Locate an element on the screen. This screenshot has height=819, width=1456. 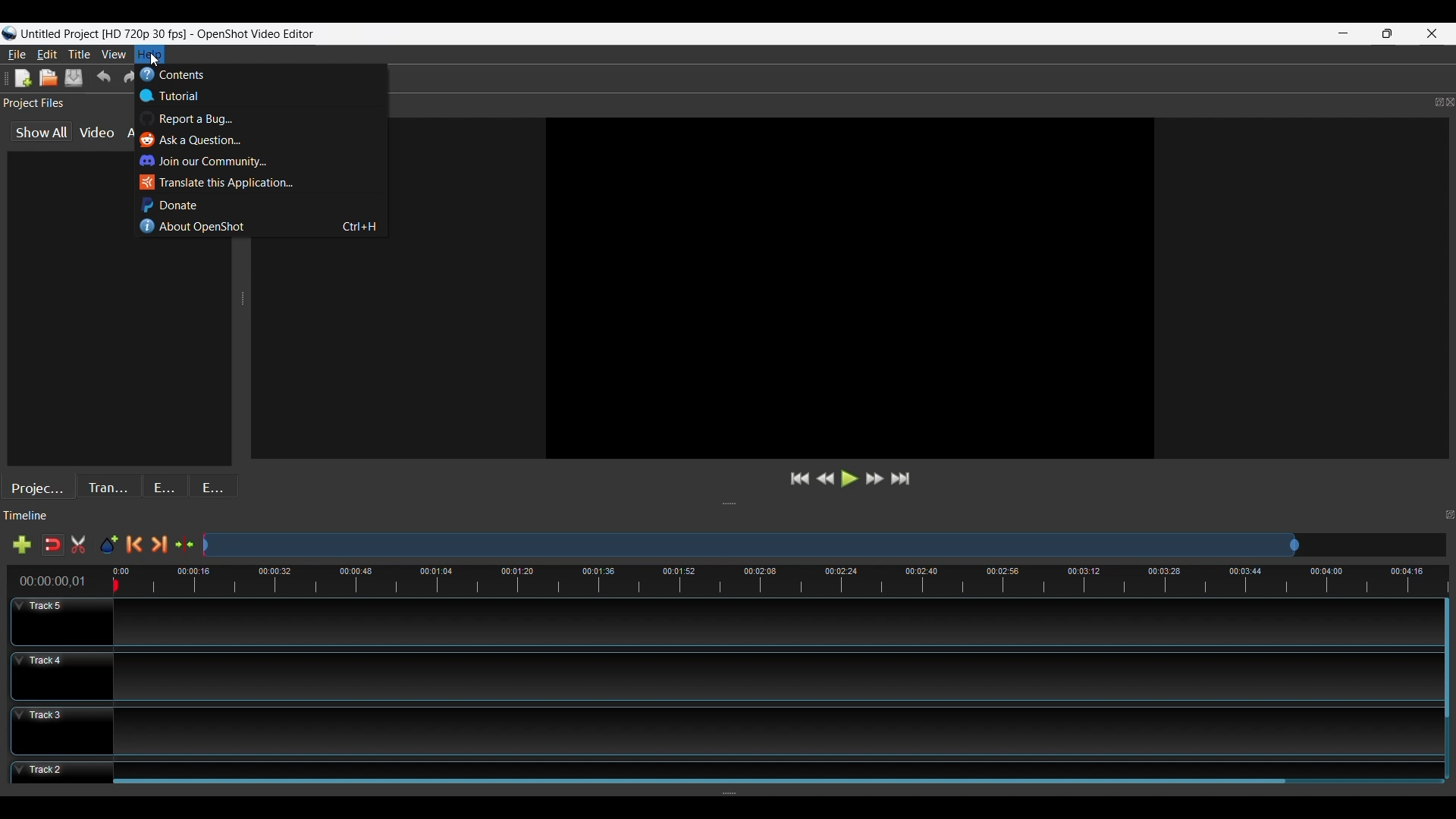
Redo is located at coordinates (129, 78).